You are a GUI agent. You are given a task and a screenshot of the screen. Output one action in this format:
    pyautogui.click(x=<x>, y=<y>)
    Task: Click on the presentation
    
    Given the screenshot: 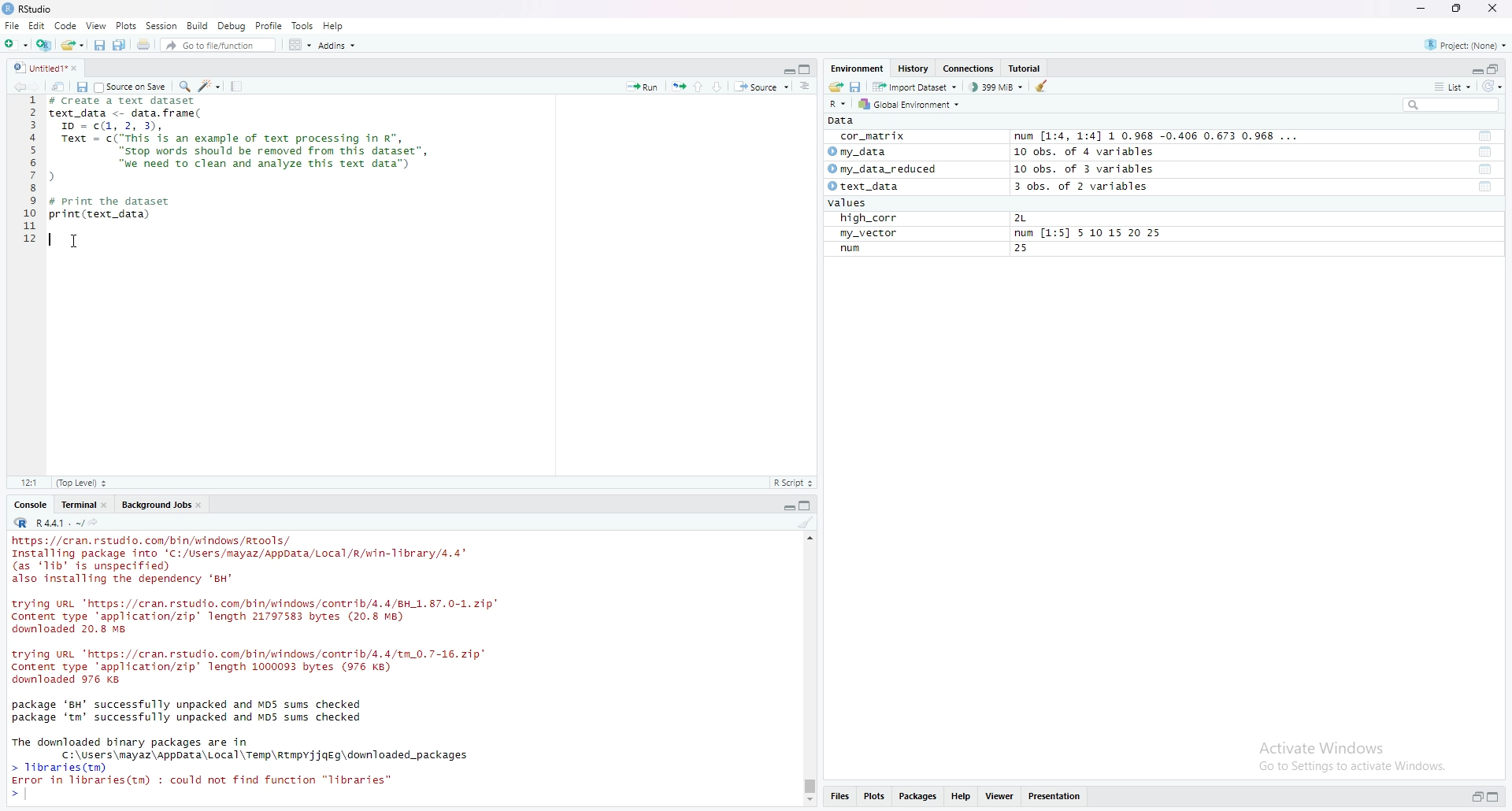 What is the action you would take?
    pyautogui.click(x=1058, y=796)
    